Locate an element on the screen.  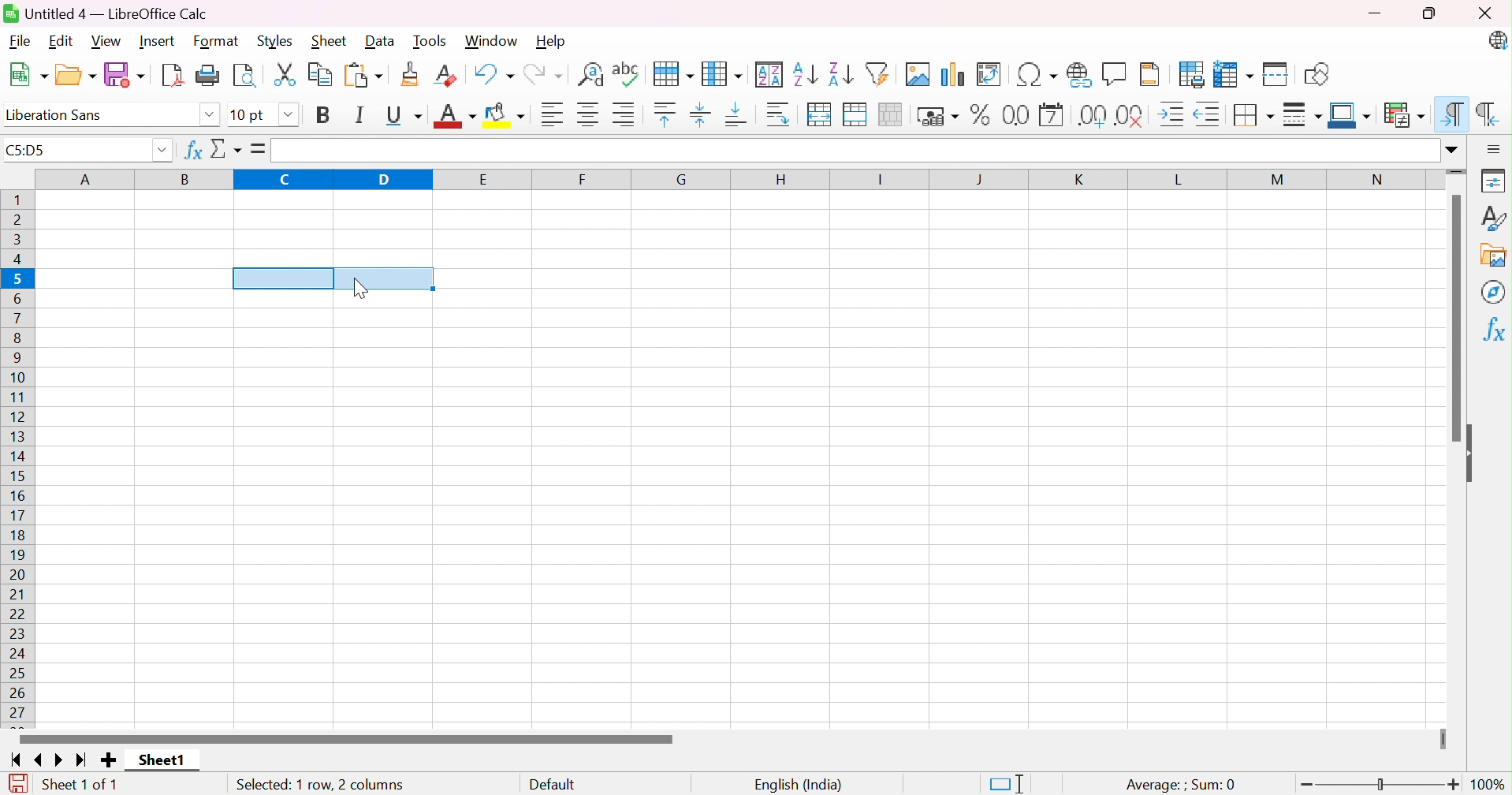
Open is located at coordinates (76, 74).